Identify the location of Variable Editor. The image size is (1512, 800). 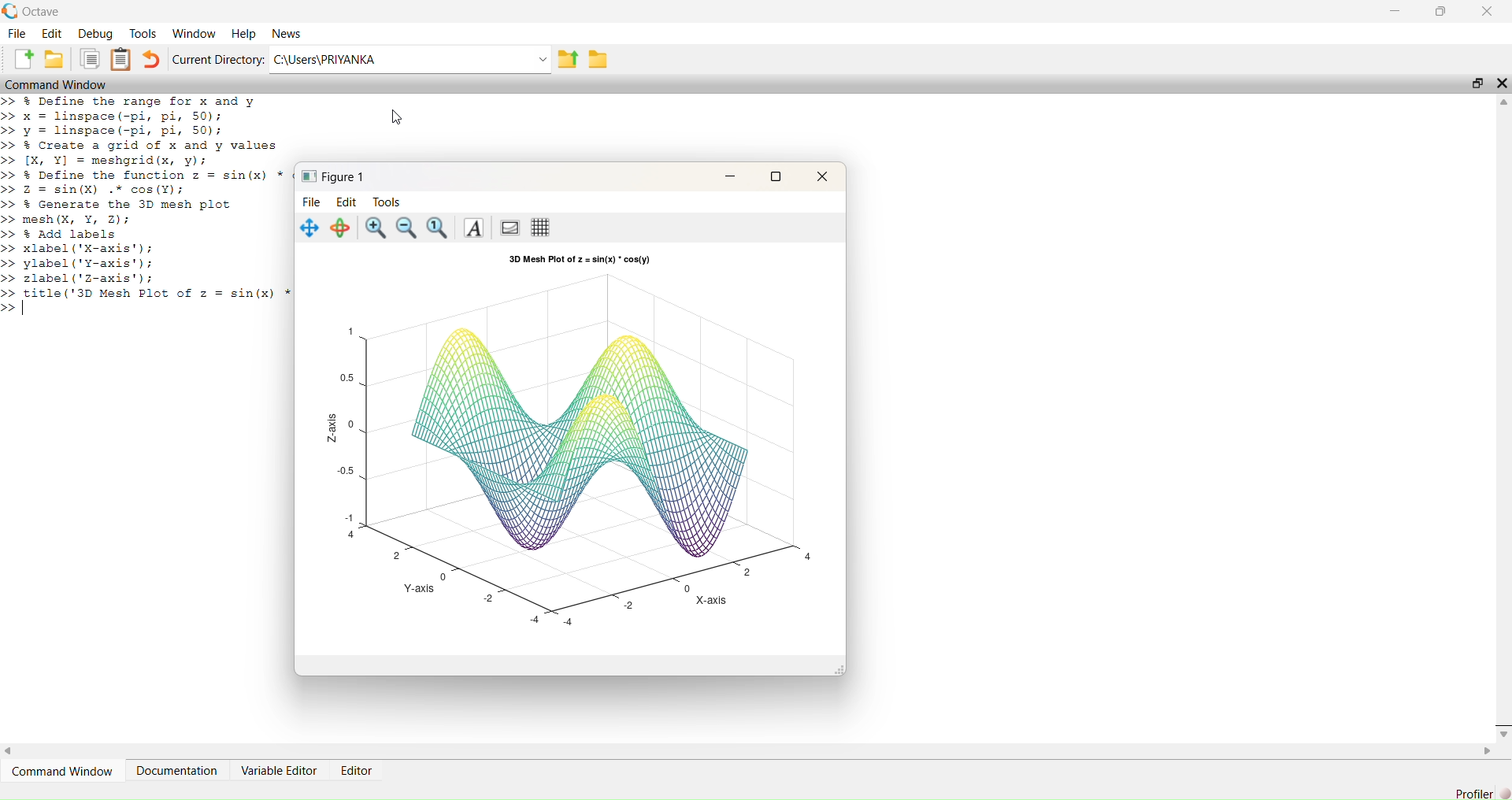
(279, 770).